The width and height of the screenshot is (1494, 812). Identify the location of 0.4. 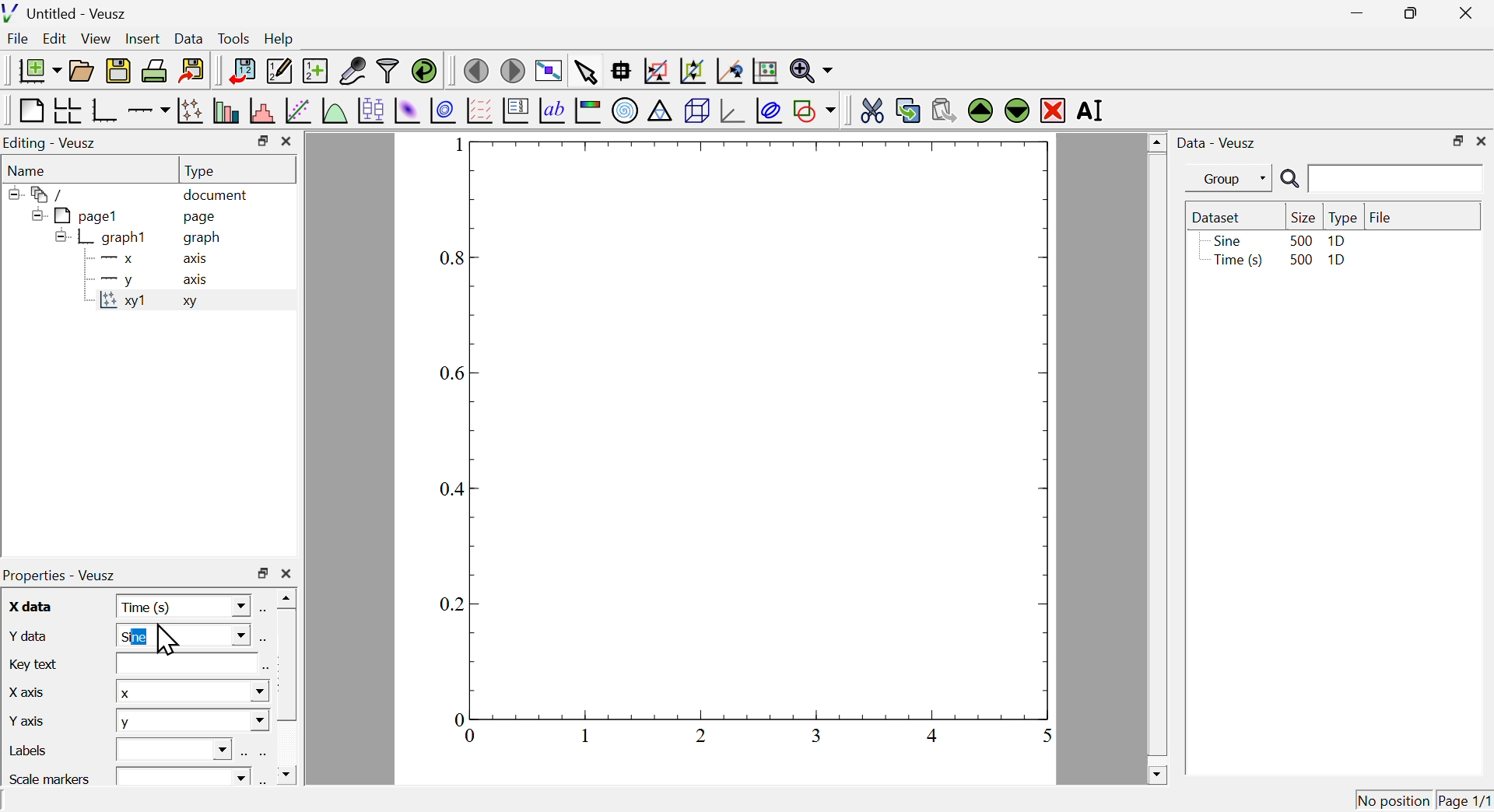
(701, 735).